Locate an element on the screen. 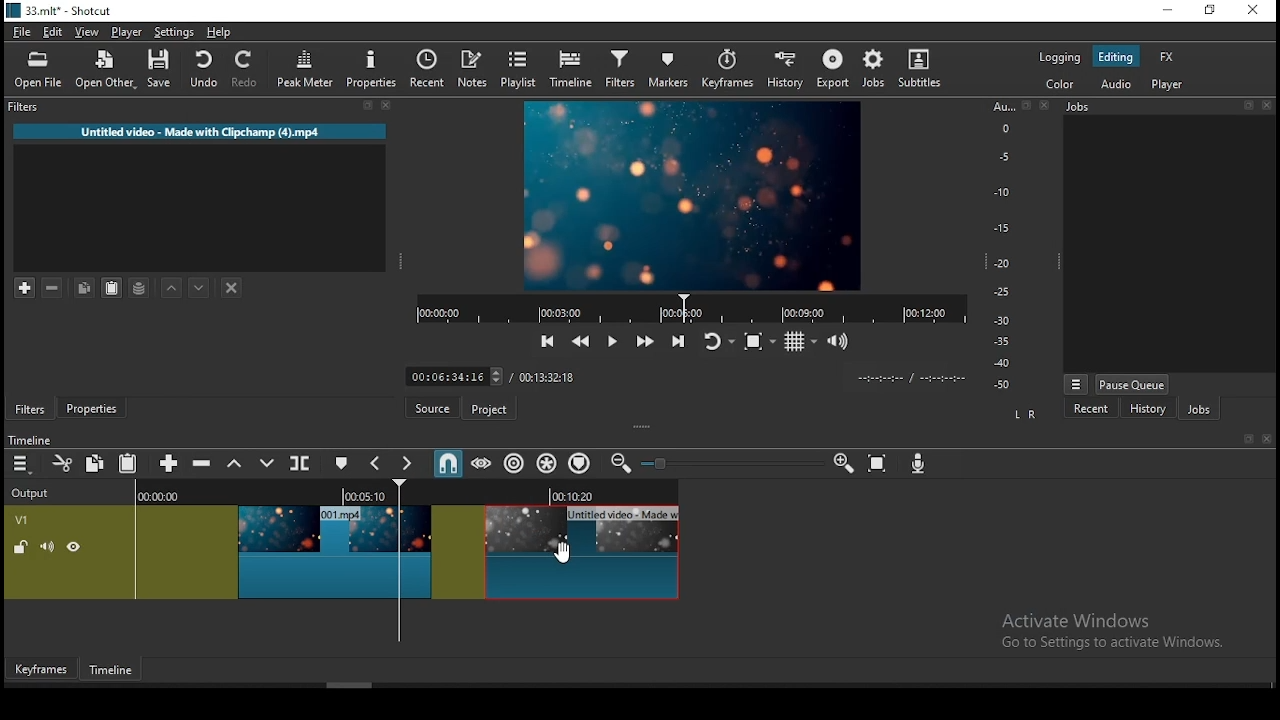  ripple all tracks is located at coordinates (548, 462).